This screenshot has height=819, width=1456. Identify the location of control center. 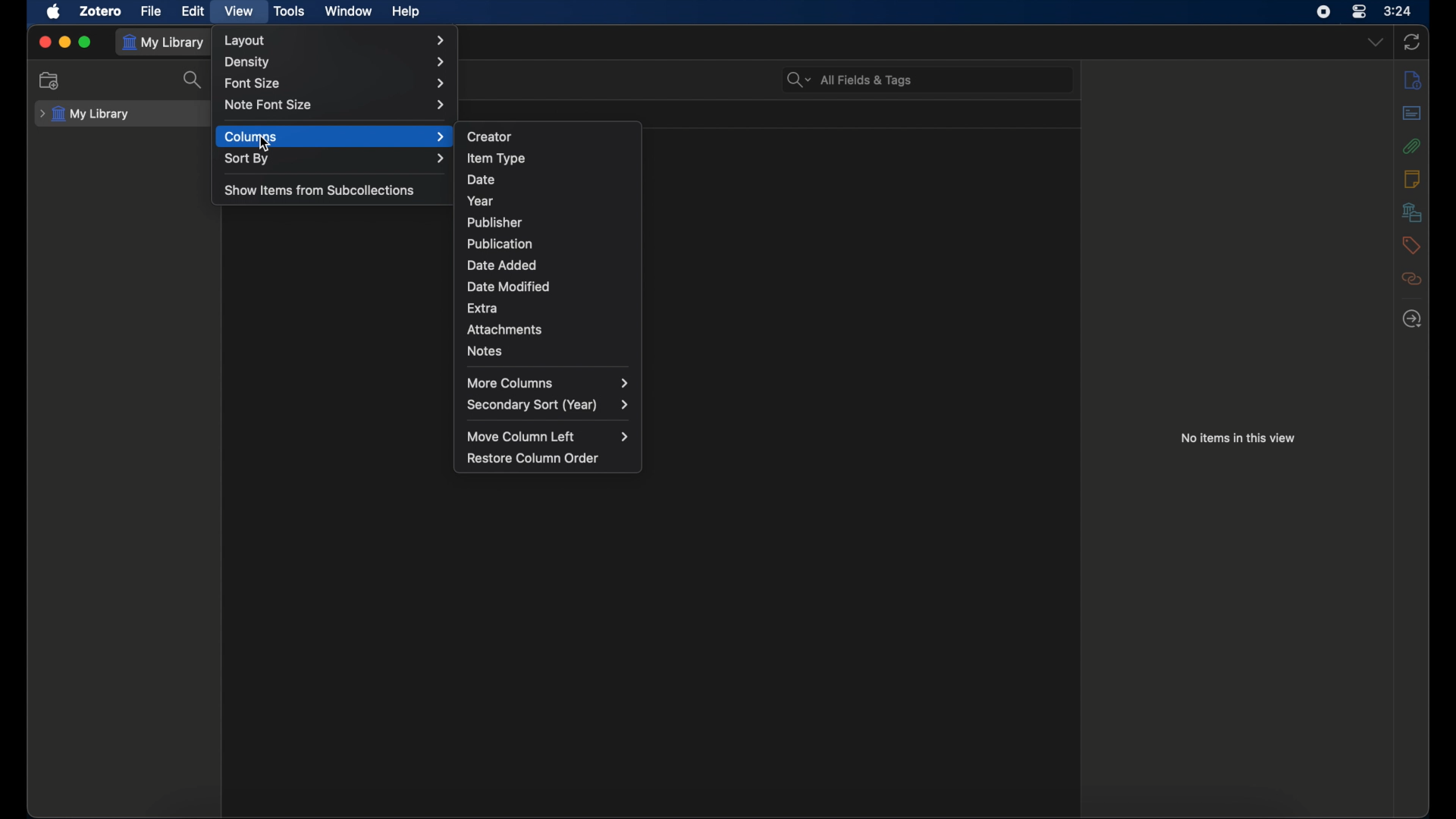
(1360, 12).